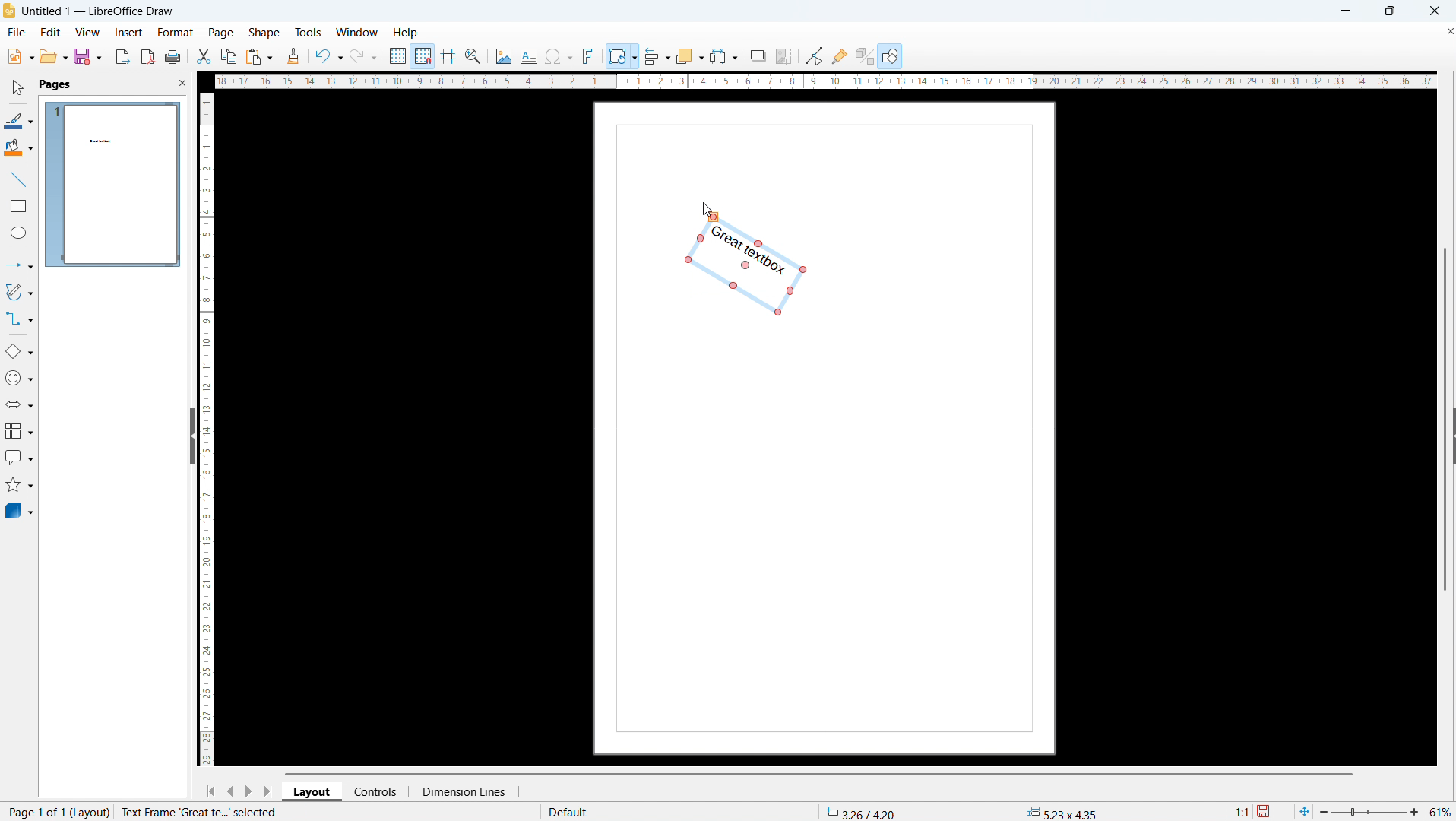  I want to click on redo, so click(364, 55).